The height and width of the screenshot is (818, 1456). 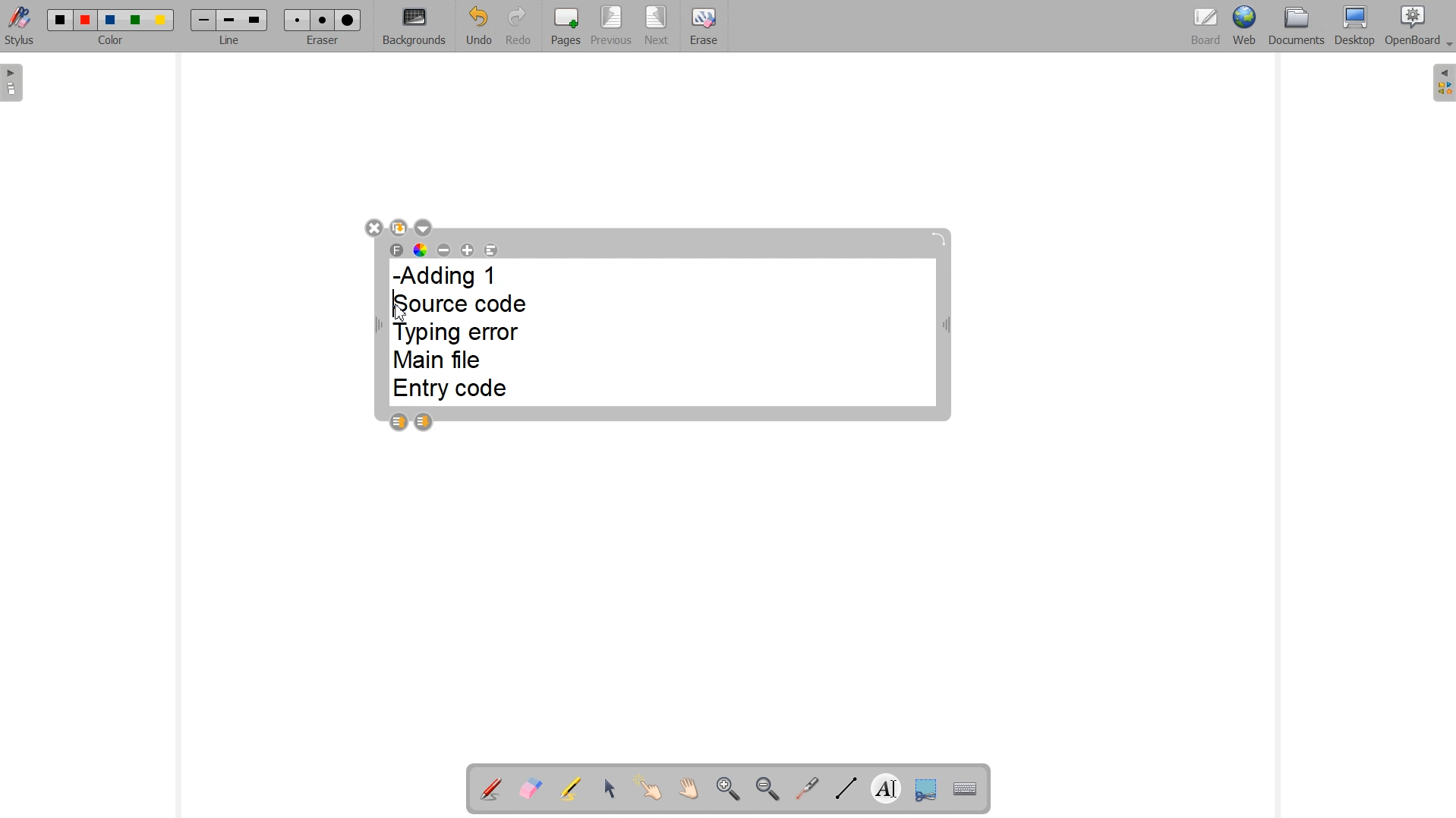 What do you see at coordinates (807, 788) in the screenshot?
I see `Virtual laser pointer` at bounding box center [807, 788].